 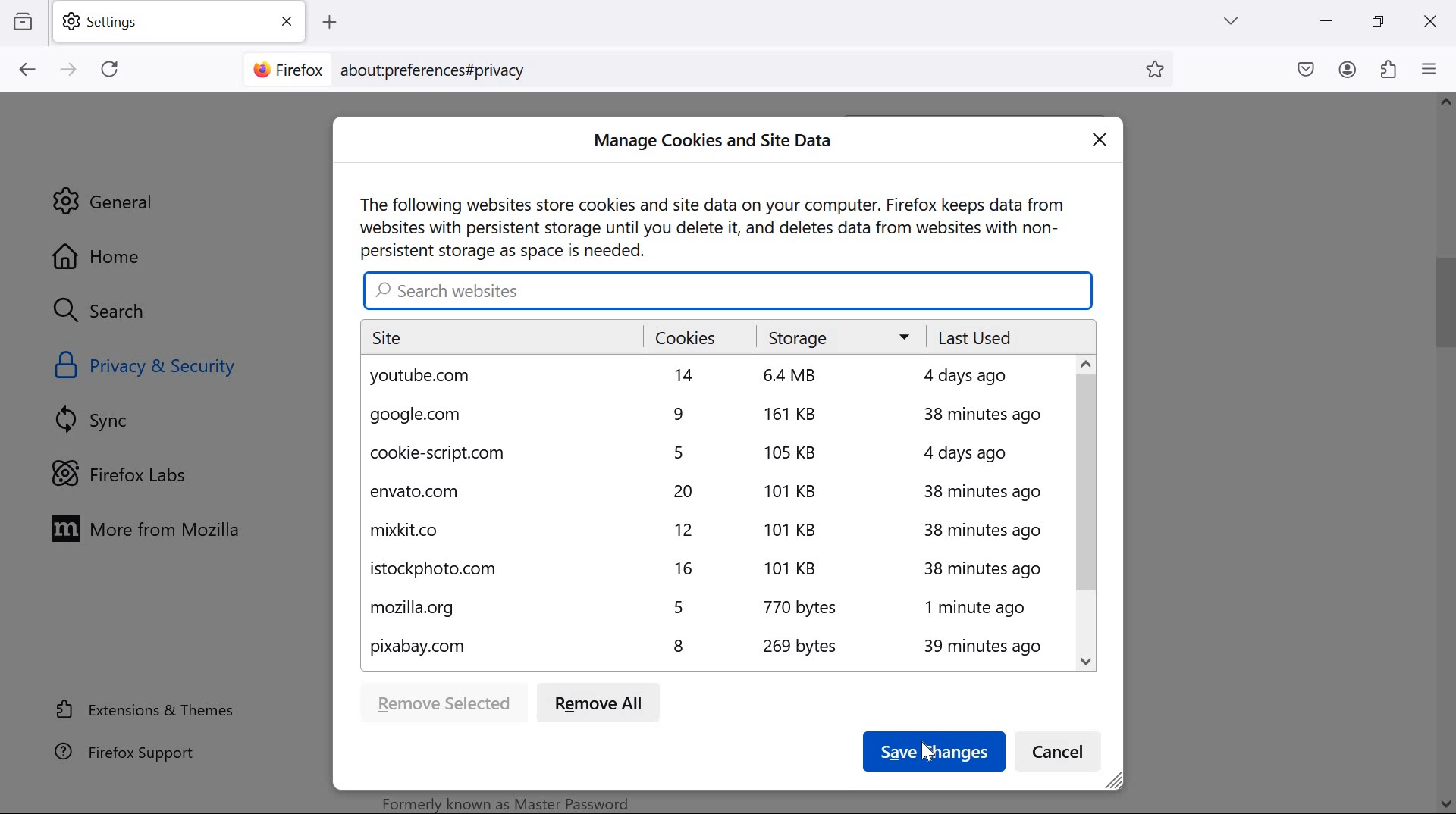 What do you see at coordinates (1062, 753) in the screenshot?
I see `cancel` at bounding box center [1062, 753].